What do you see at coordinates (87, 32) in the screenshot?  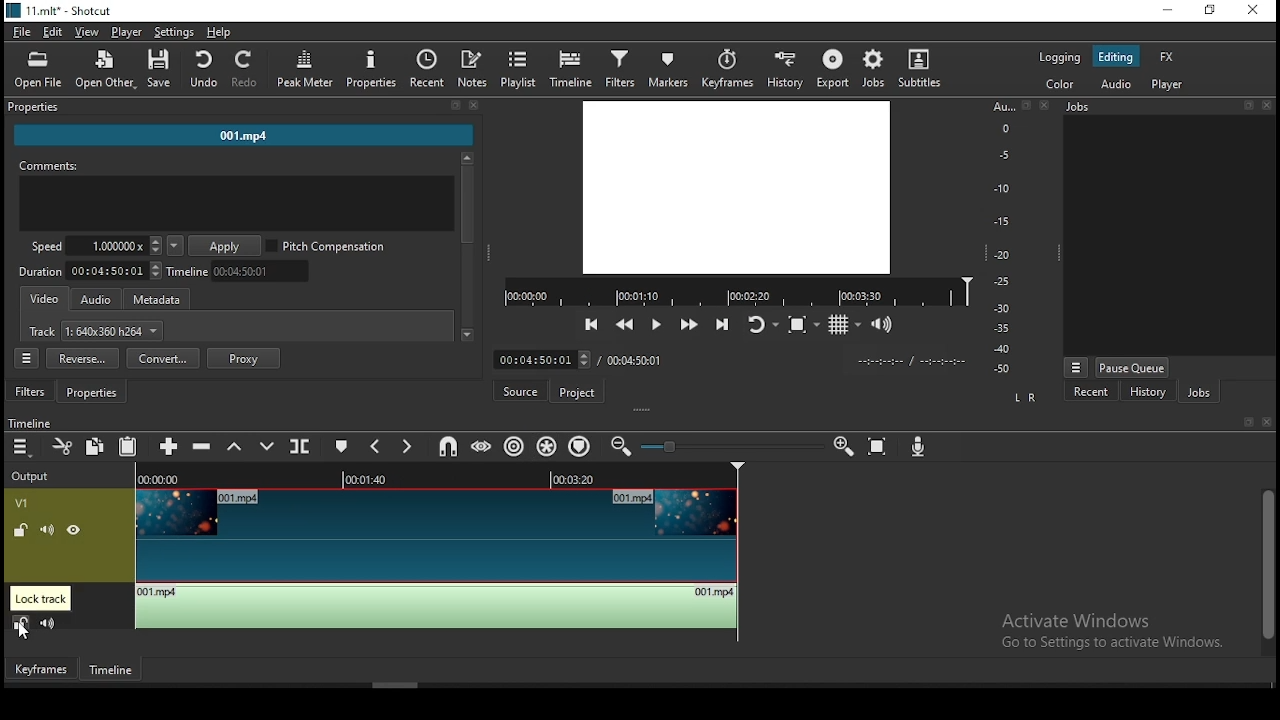 I see `view` at bounding box center [87, 32].